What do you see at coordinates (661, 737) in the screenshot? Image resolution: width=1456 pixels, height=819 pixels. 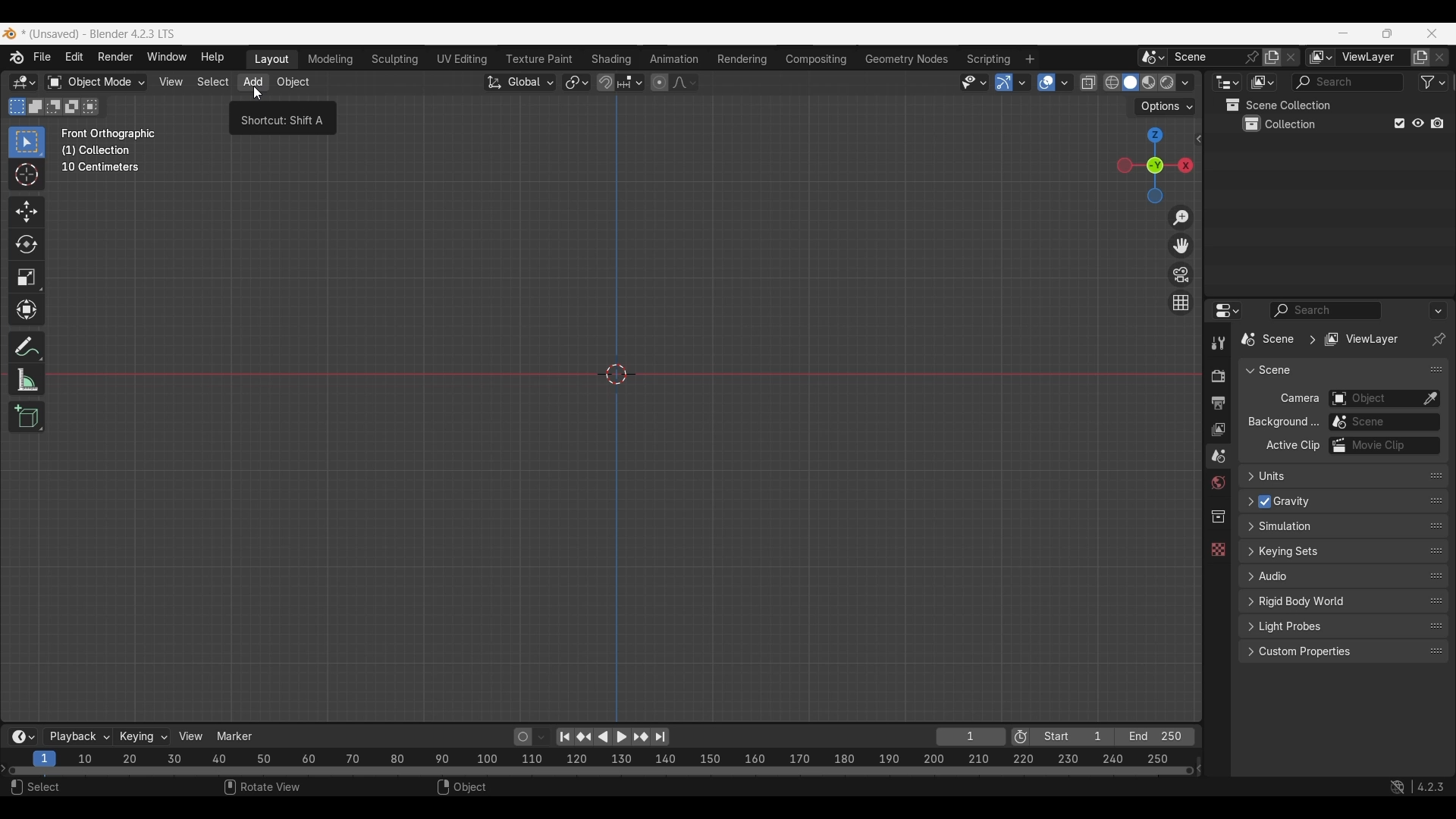 I see `Jump to end point` at bounding box center [661, 737].